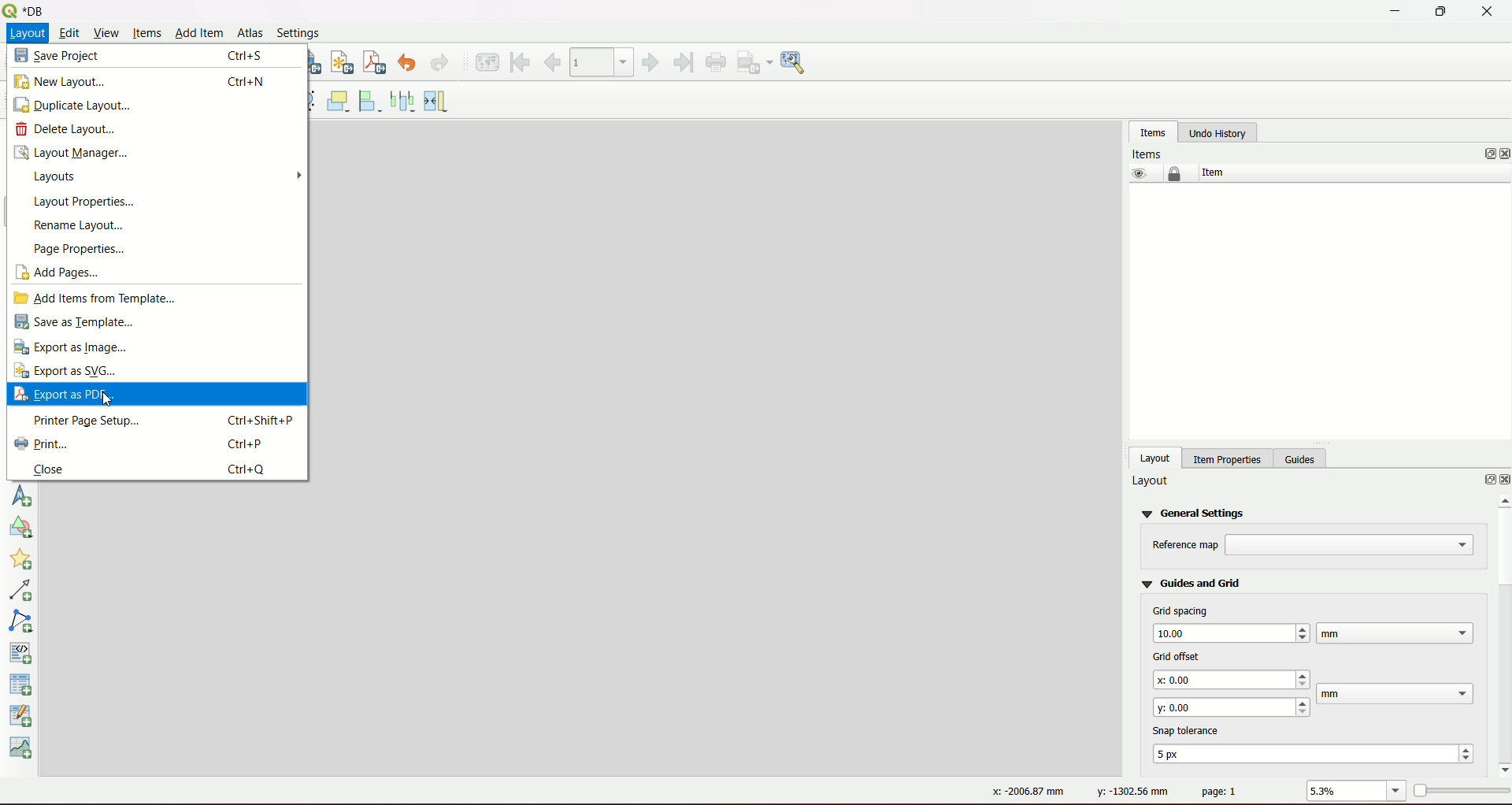  I want to click on ctrl+shift+P, so click(261, 421).